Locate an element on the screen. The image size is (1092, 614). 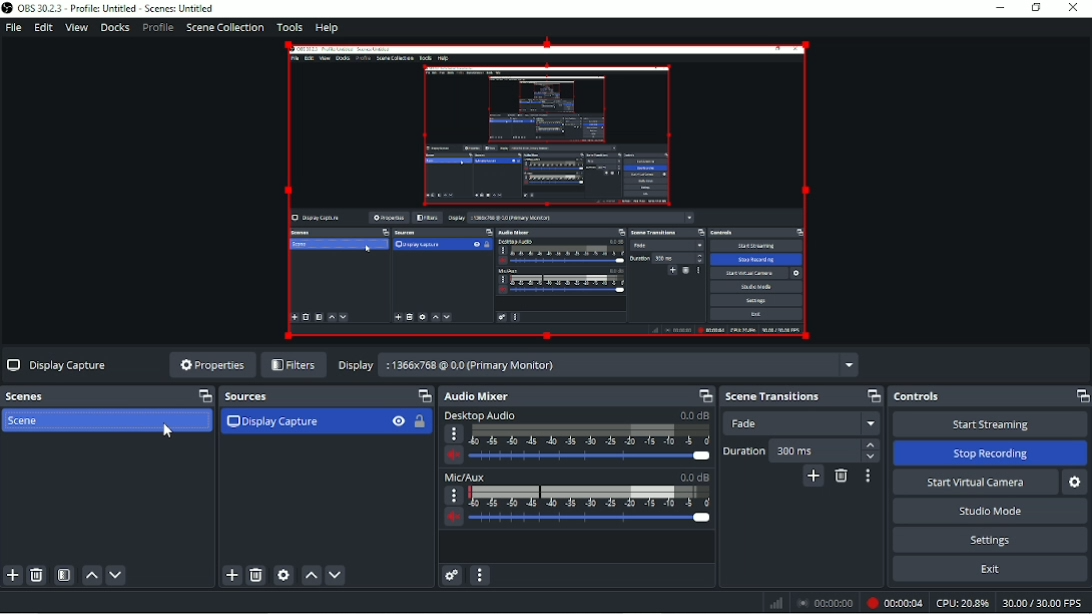
0.0 dB is located at coordinates (693, 477).